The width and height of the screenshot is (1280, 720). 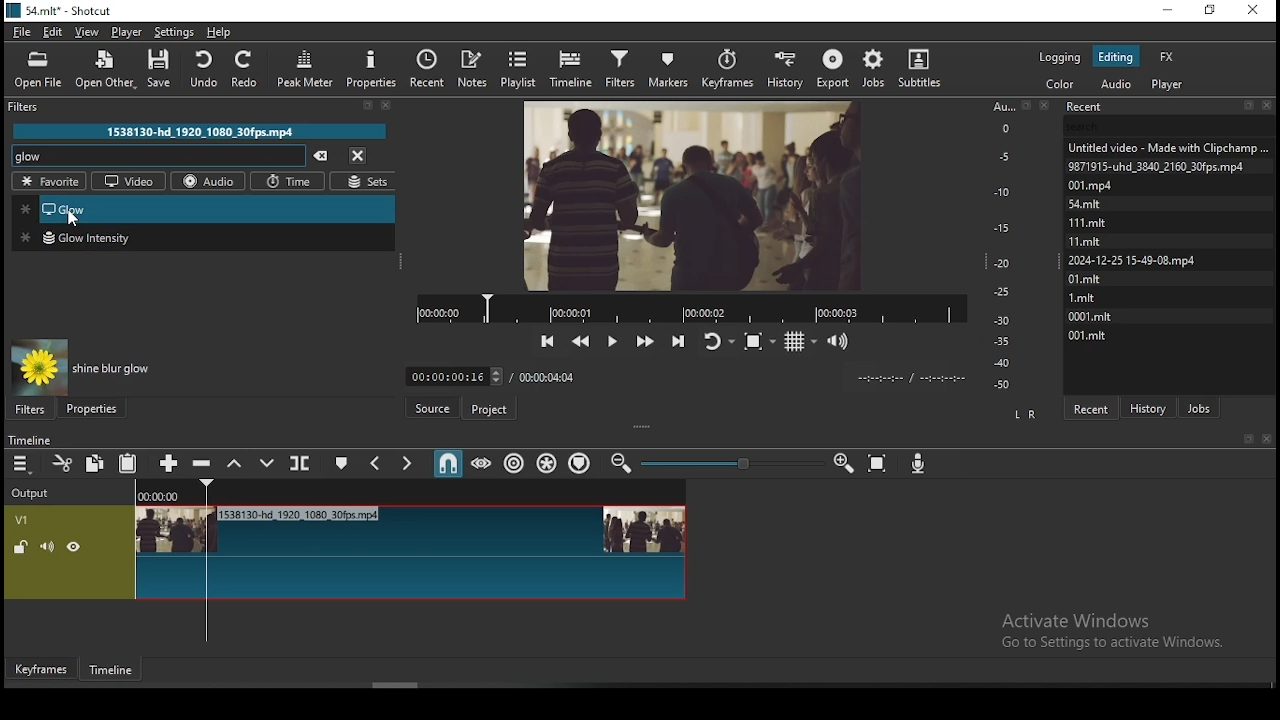 I want to click on recent, so click(x=1090, y=408).